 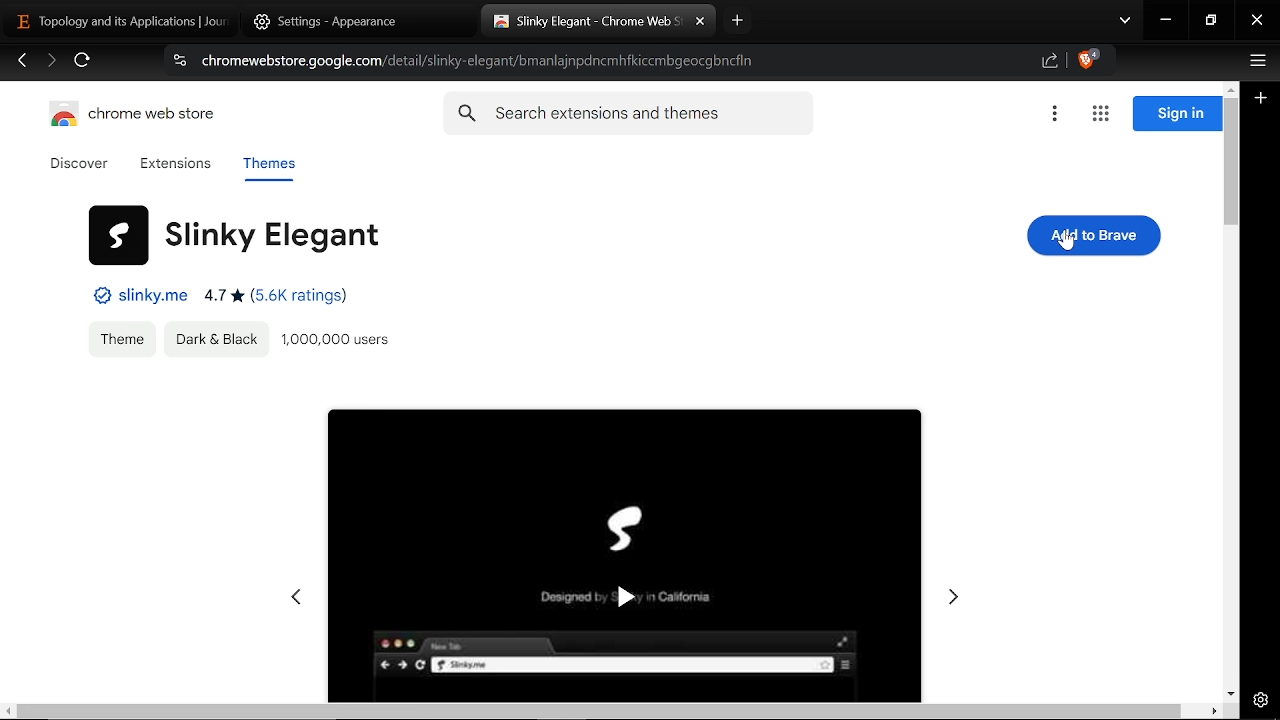 What do you see at coordinates (268, 167) in the screenshot?
I see `Themes` at bounding box center [268, 167].